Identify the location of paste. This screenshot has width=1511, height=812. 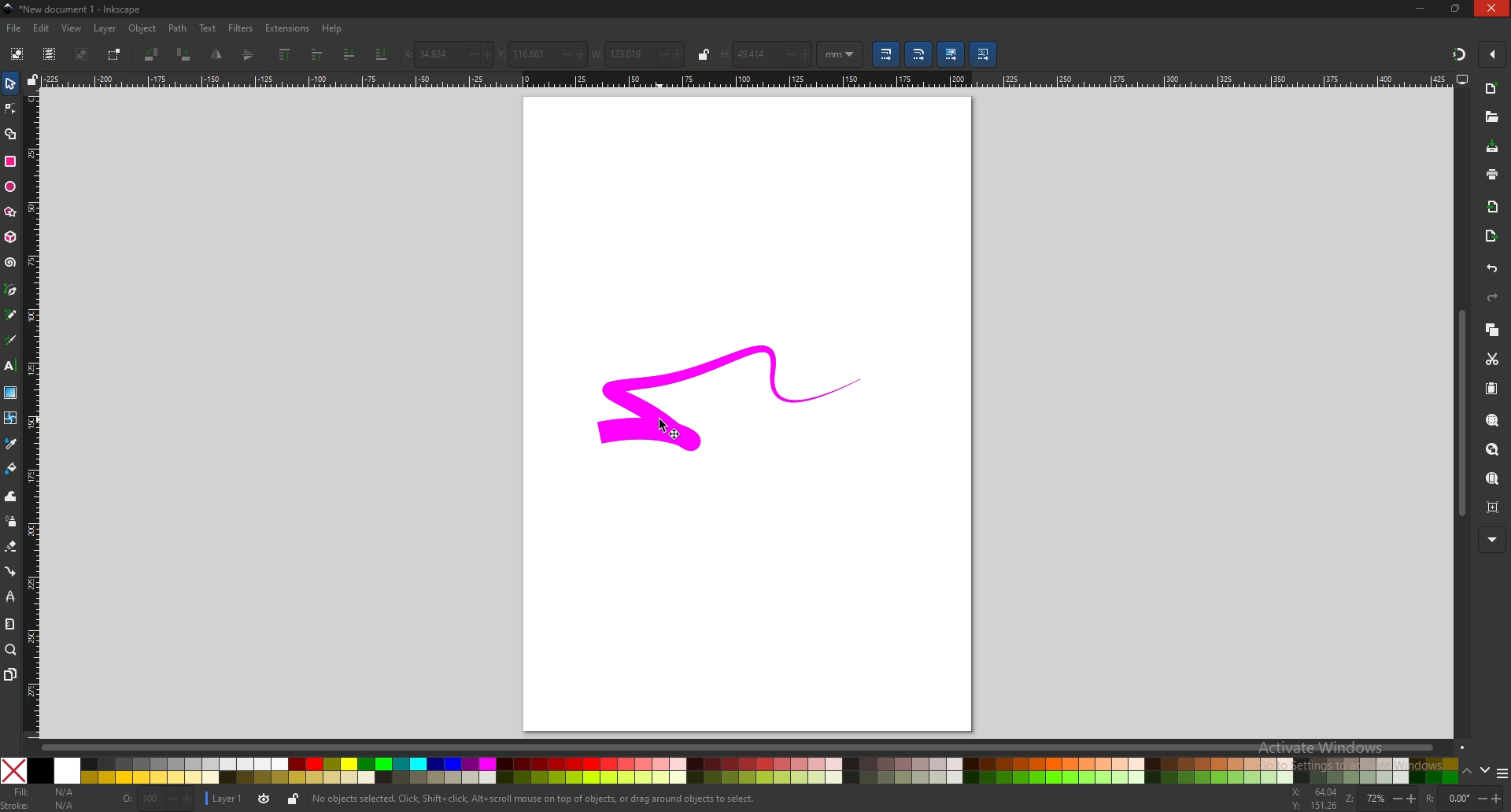
(1494, 387).